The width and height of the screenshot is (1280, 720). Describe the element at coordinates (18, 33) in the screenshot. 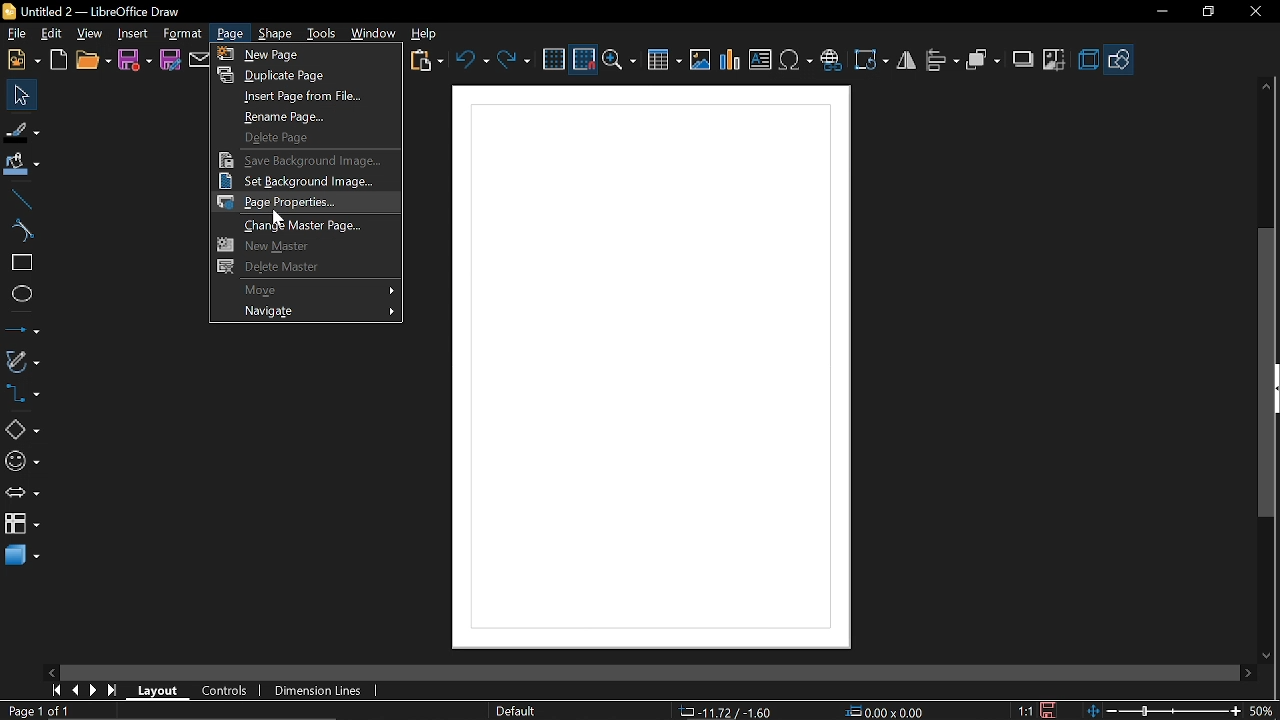

I see `File` at that location.